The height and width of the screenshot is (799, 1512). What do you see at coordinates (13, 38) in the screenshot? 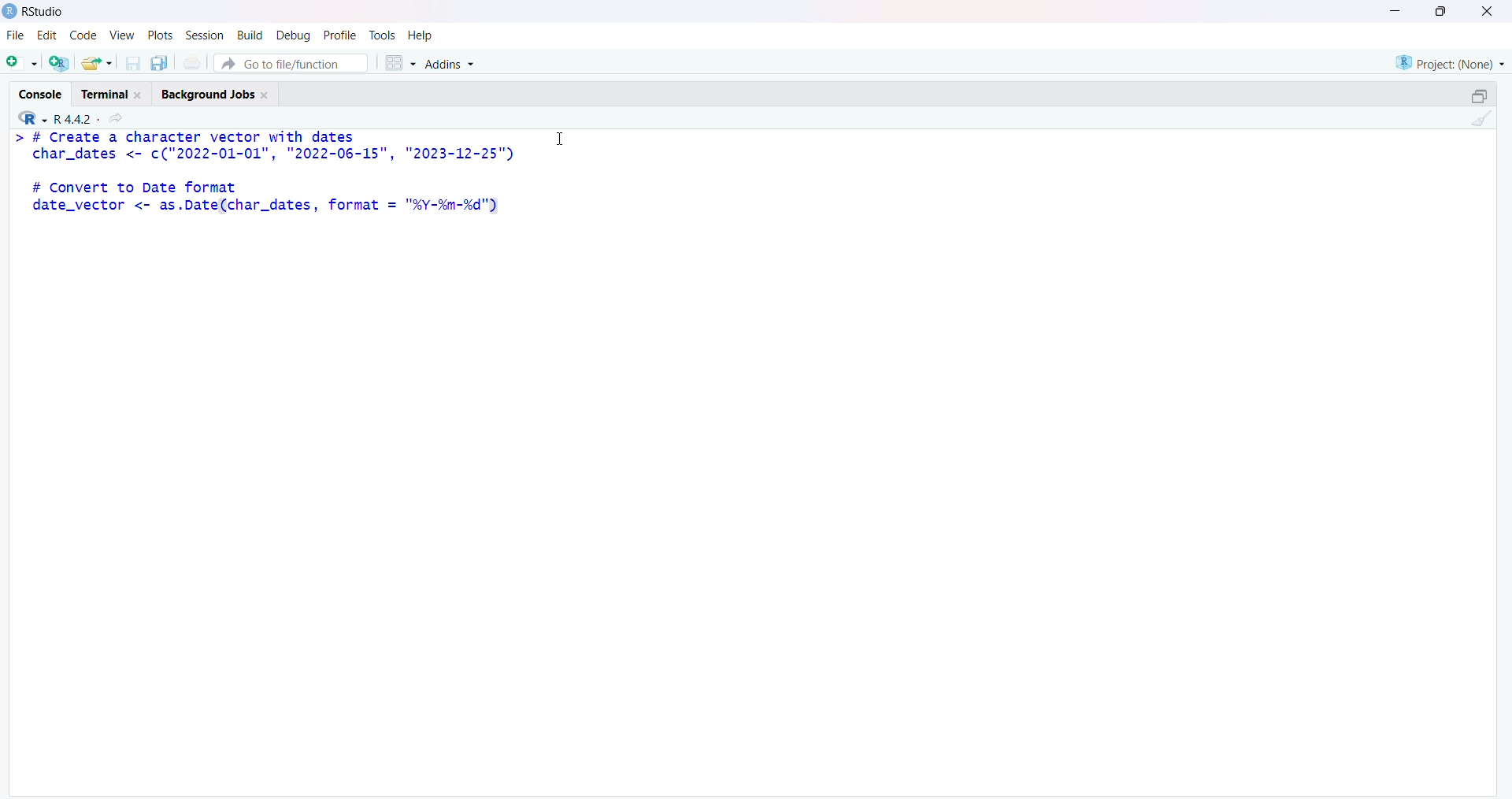
I see `File` at bounding box center [13, 38].